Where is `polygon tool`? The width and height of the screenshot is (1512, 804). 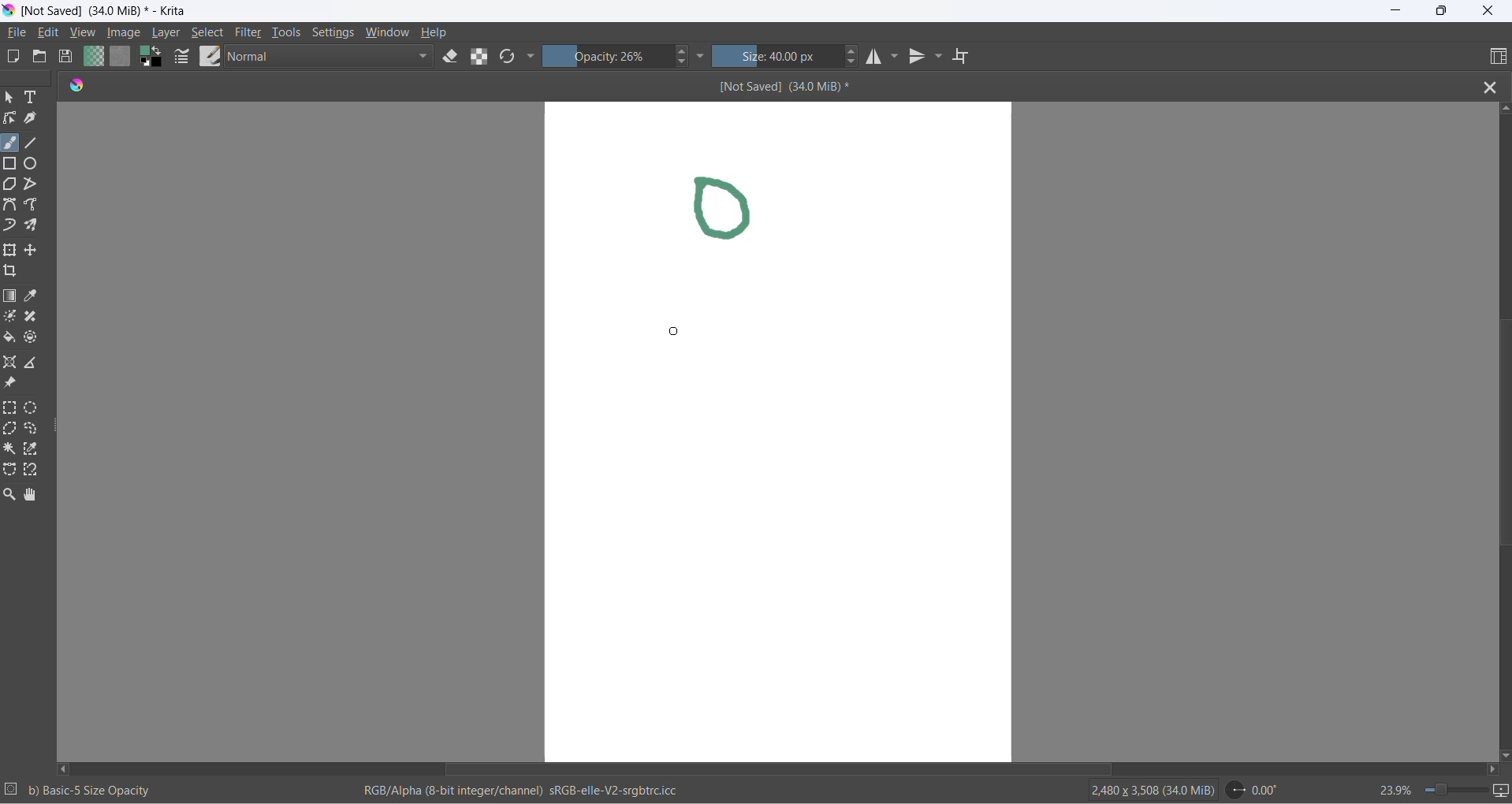 polygon tool is located at coordinates (10, 185).